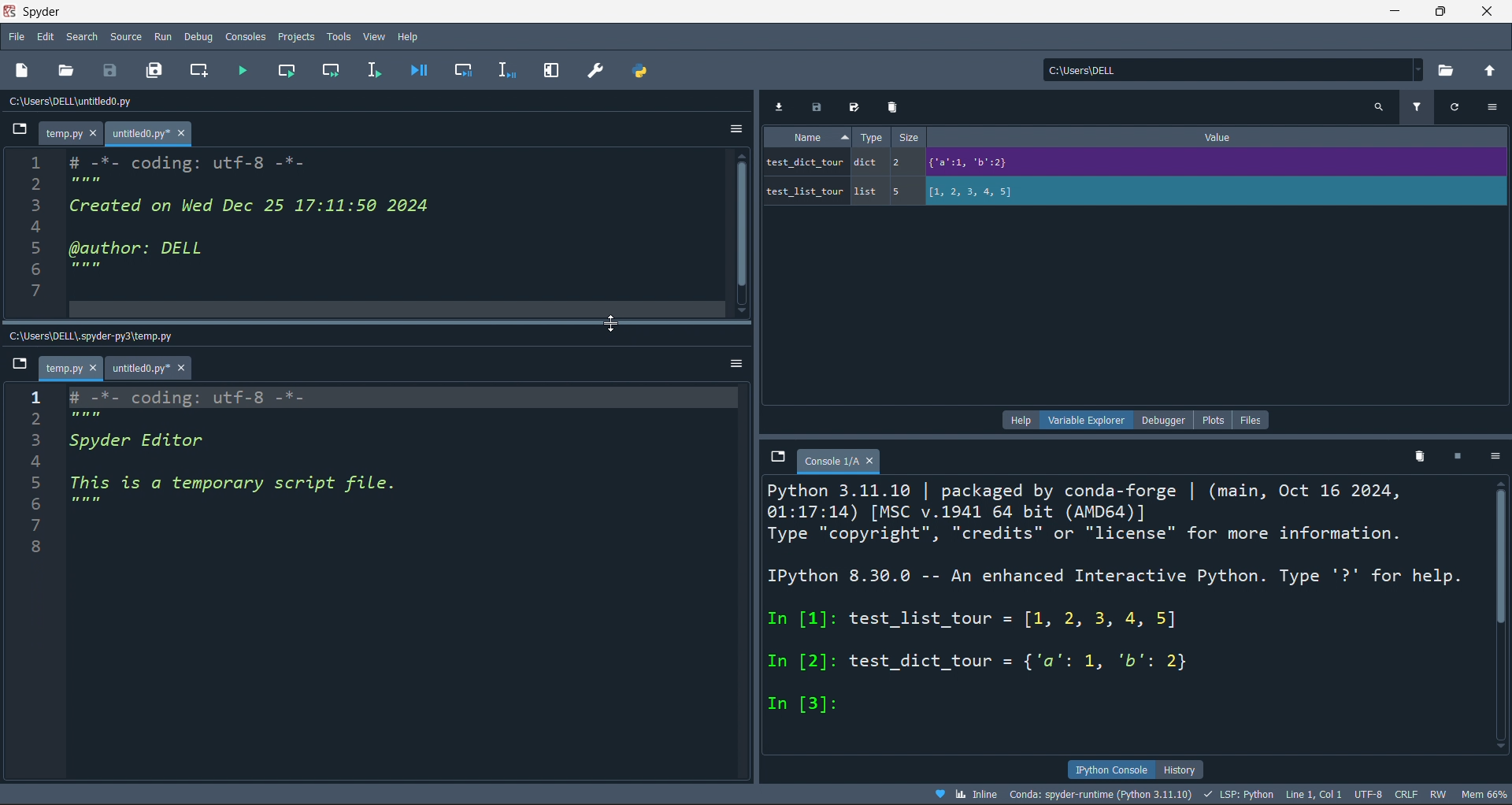  I want to click on save data as, so click(858, 107).